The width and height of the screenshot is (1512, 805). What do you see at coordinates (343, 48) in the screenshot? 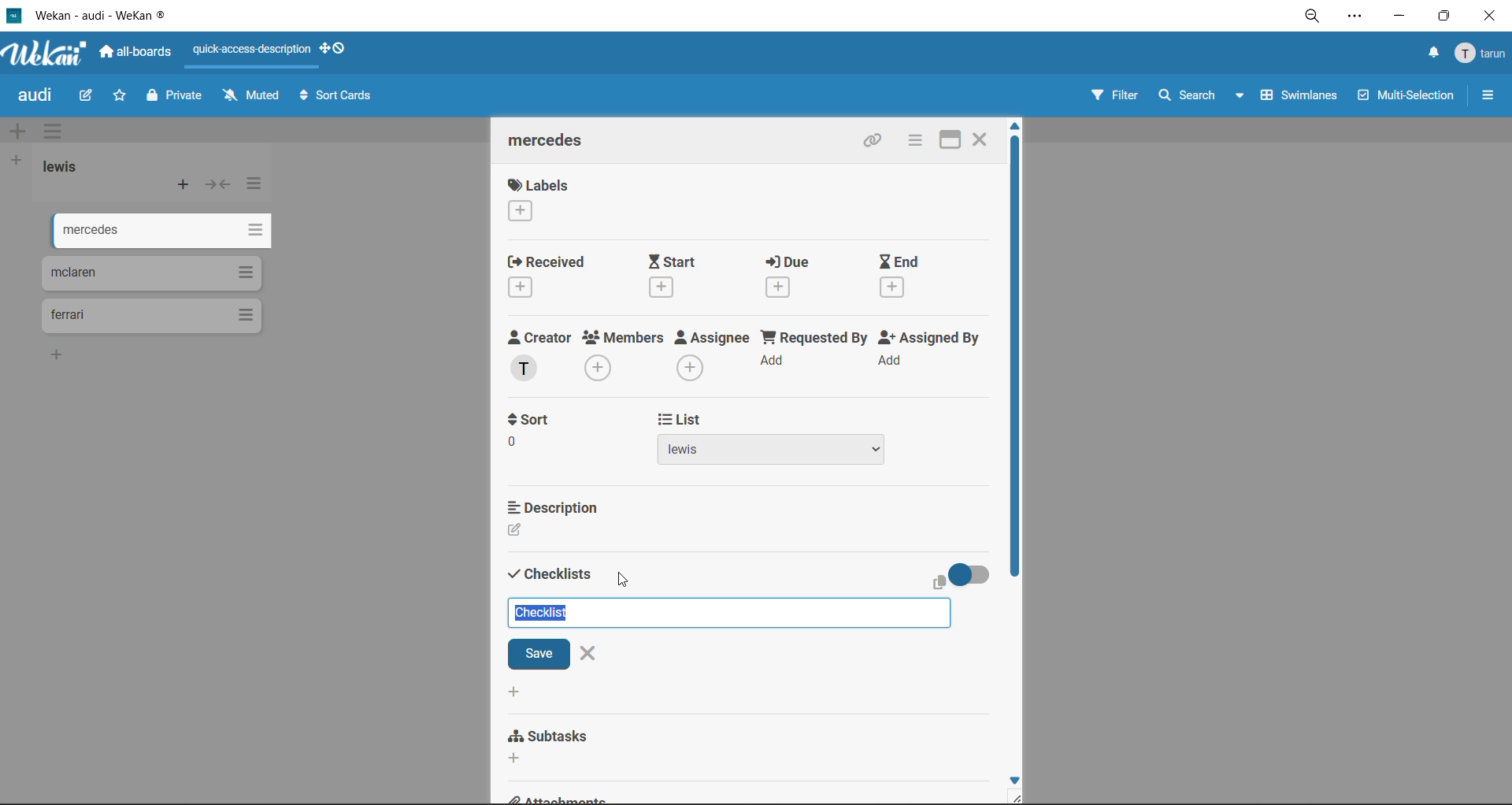
I see `show desktop drag handles` at bounding box center [343, 48].